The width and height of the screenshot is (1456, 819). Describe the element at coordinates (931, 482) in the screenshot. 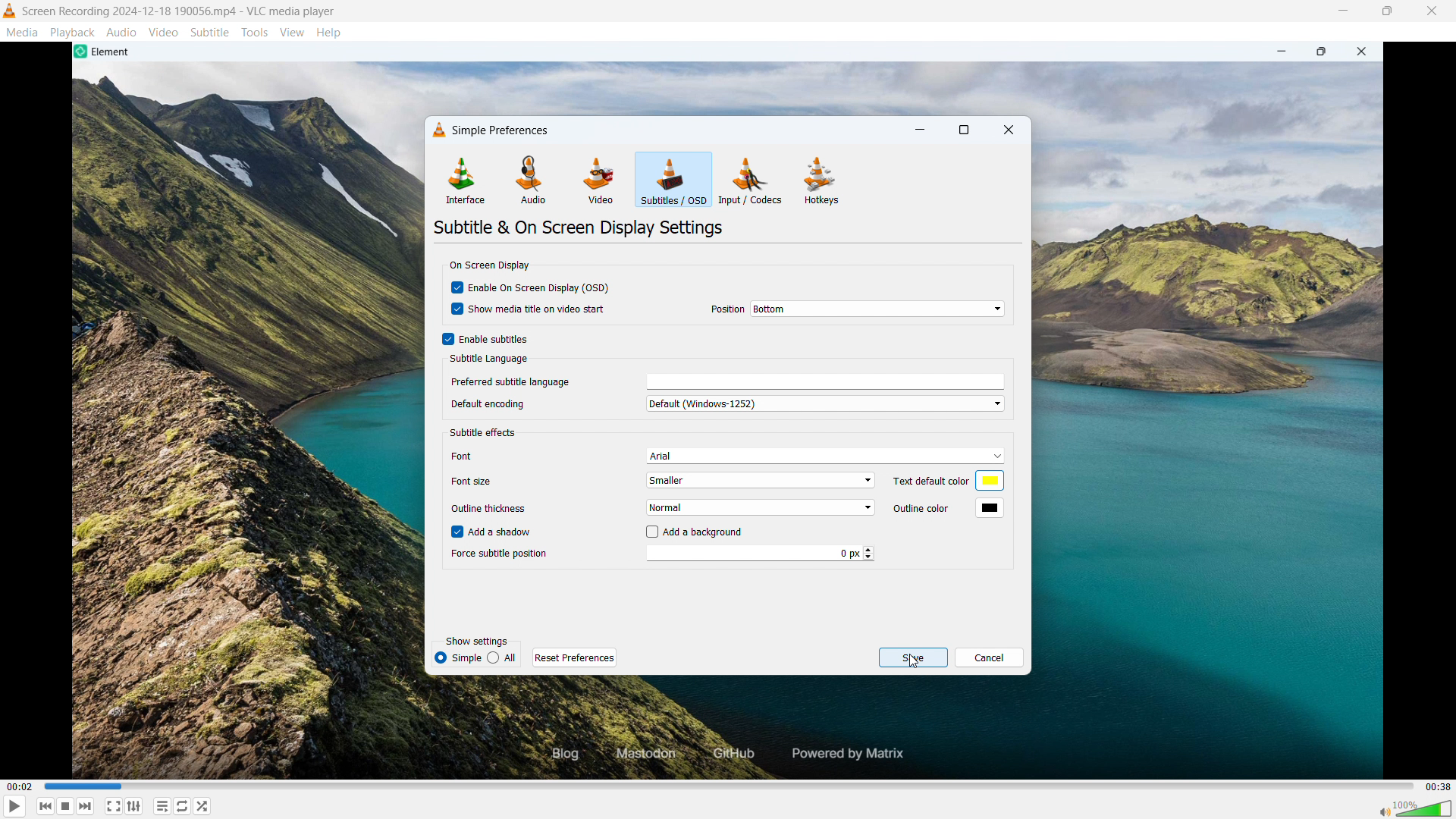

I see `Text default color` at that location.